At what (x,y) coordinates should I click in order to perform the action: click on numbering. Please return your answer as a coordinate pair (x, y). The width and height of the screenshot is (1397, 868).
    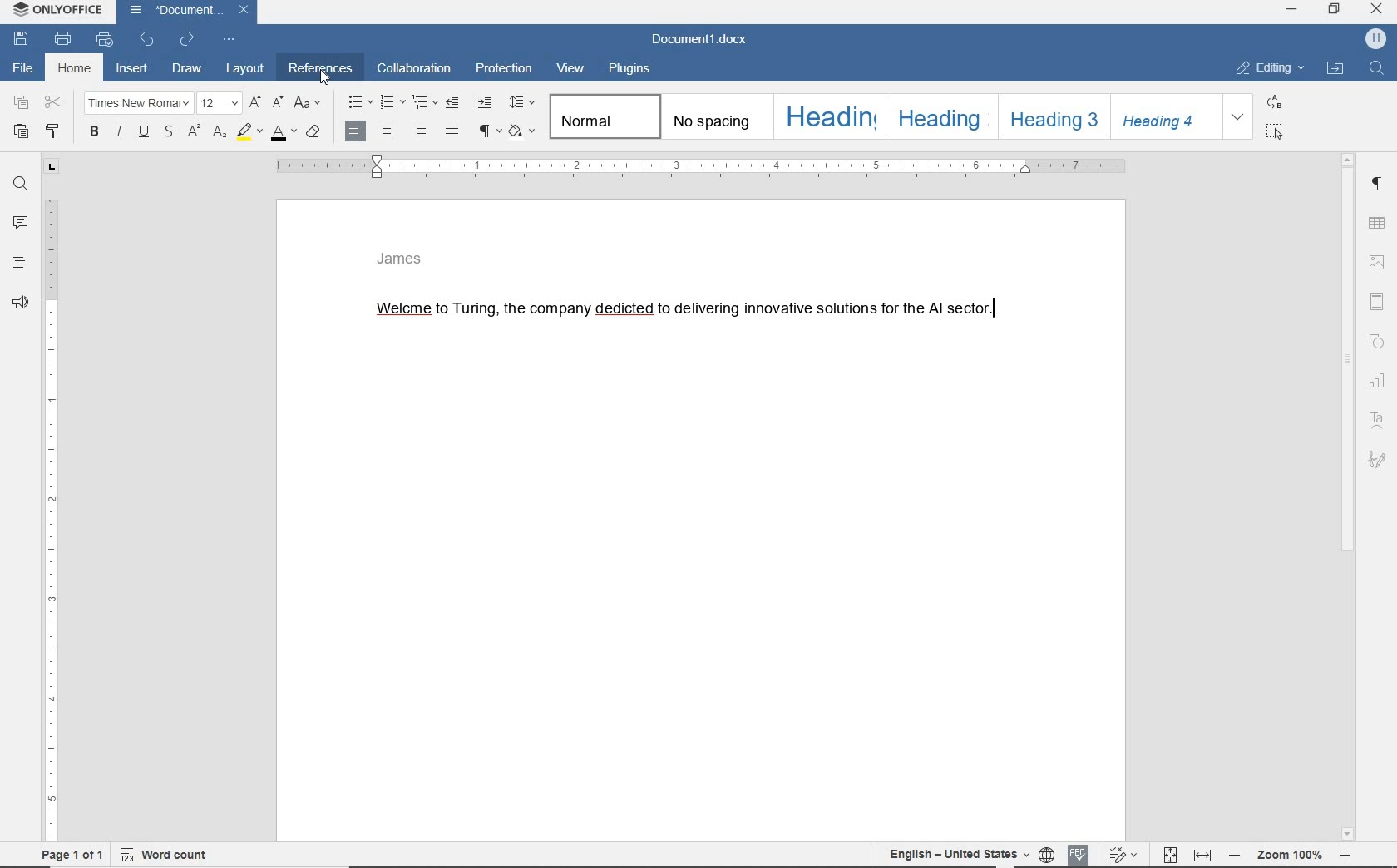
    Looking at the image, I should click on (393, 103).